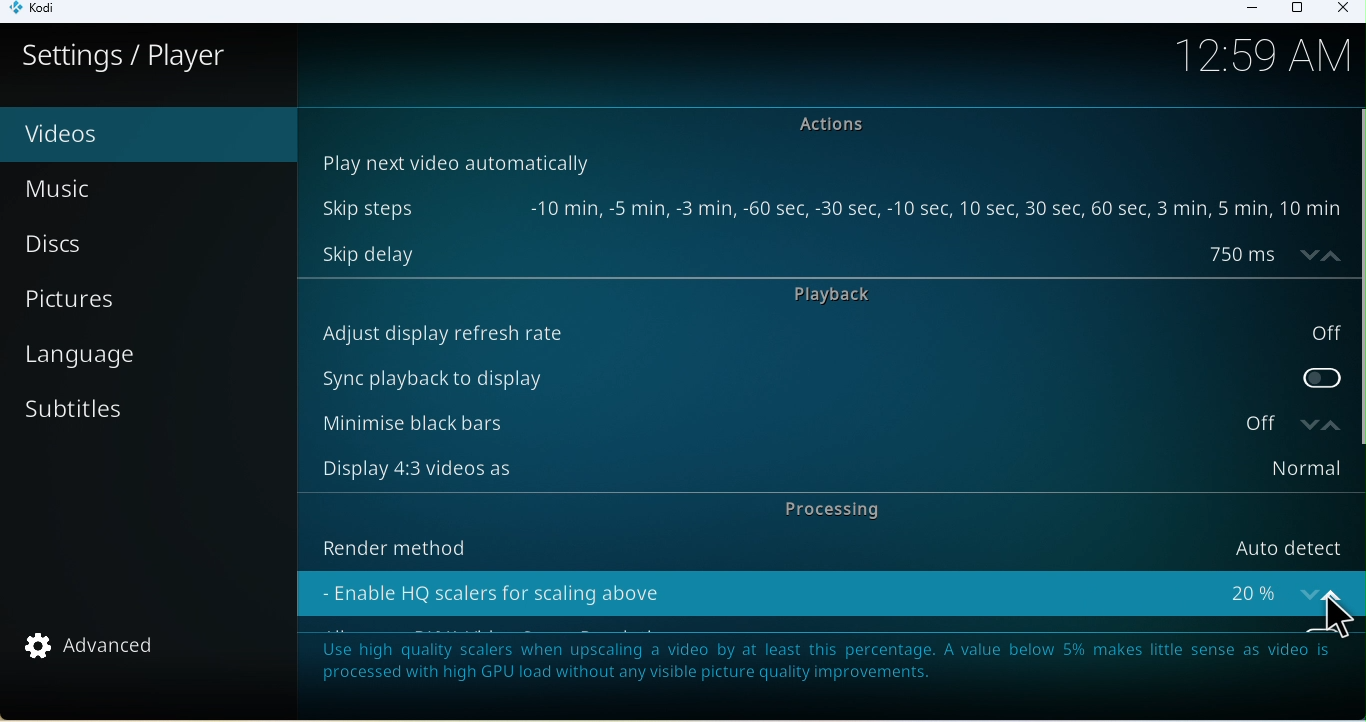 This screenshot has width=1366, height=722. What do you see at coordinates (1323, 589) in the screenshot?
I see `increase/decrease` at bounding box center [1323, 589].